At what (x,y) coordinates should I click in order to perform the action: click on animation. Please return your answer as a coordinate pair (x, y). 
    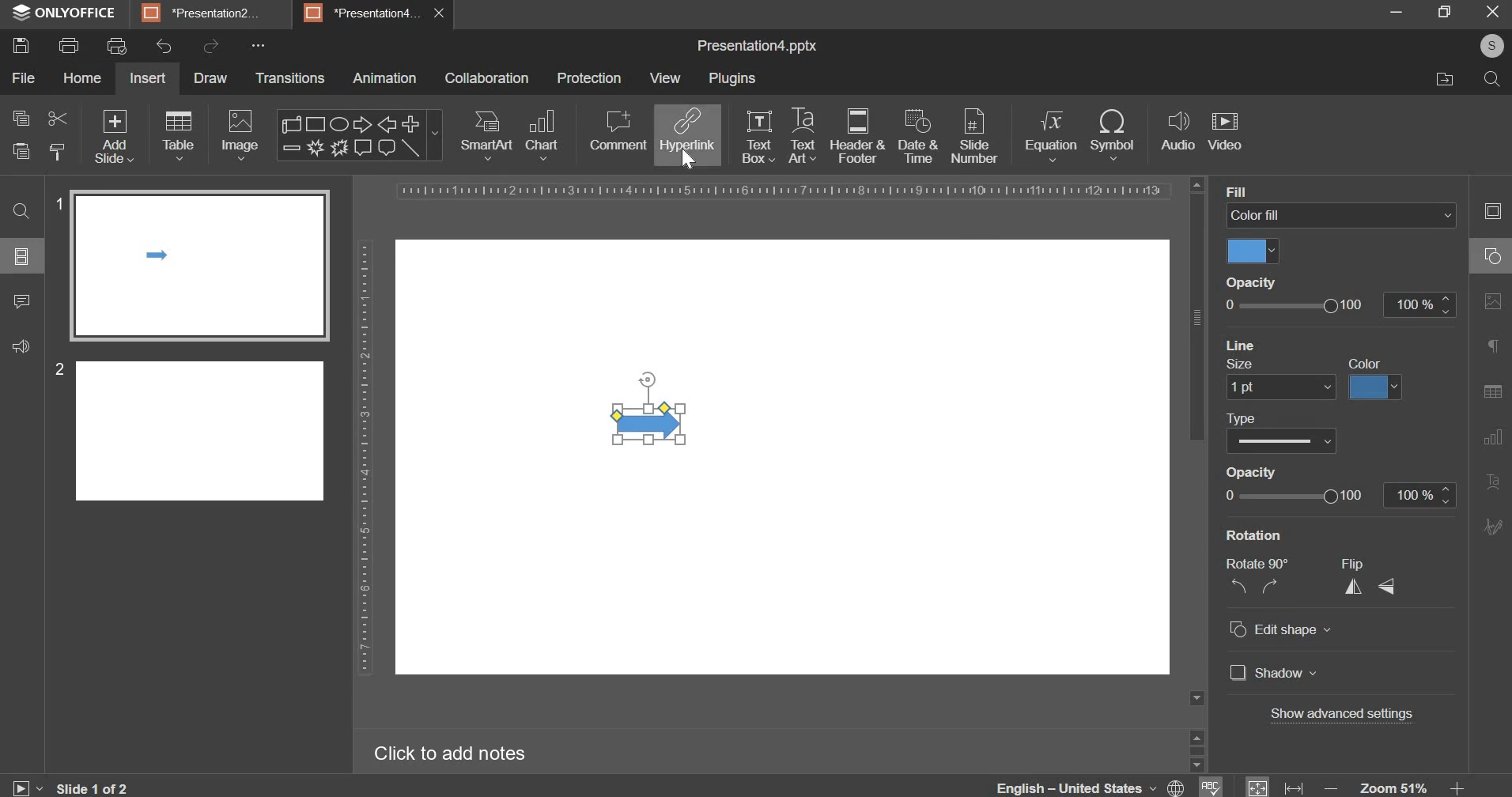
    Looking at the image, I should click on (384, 80).